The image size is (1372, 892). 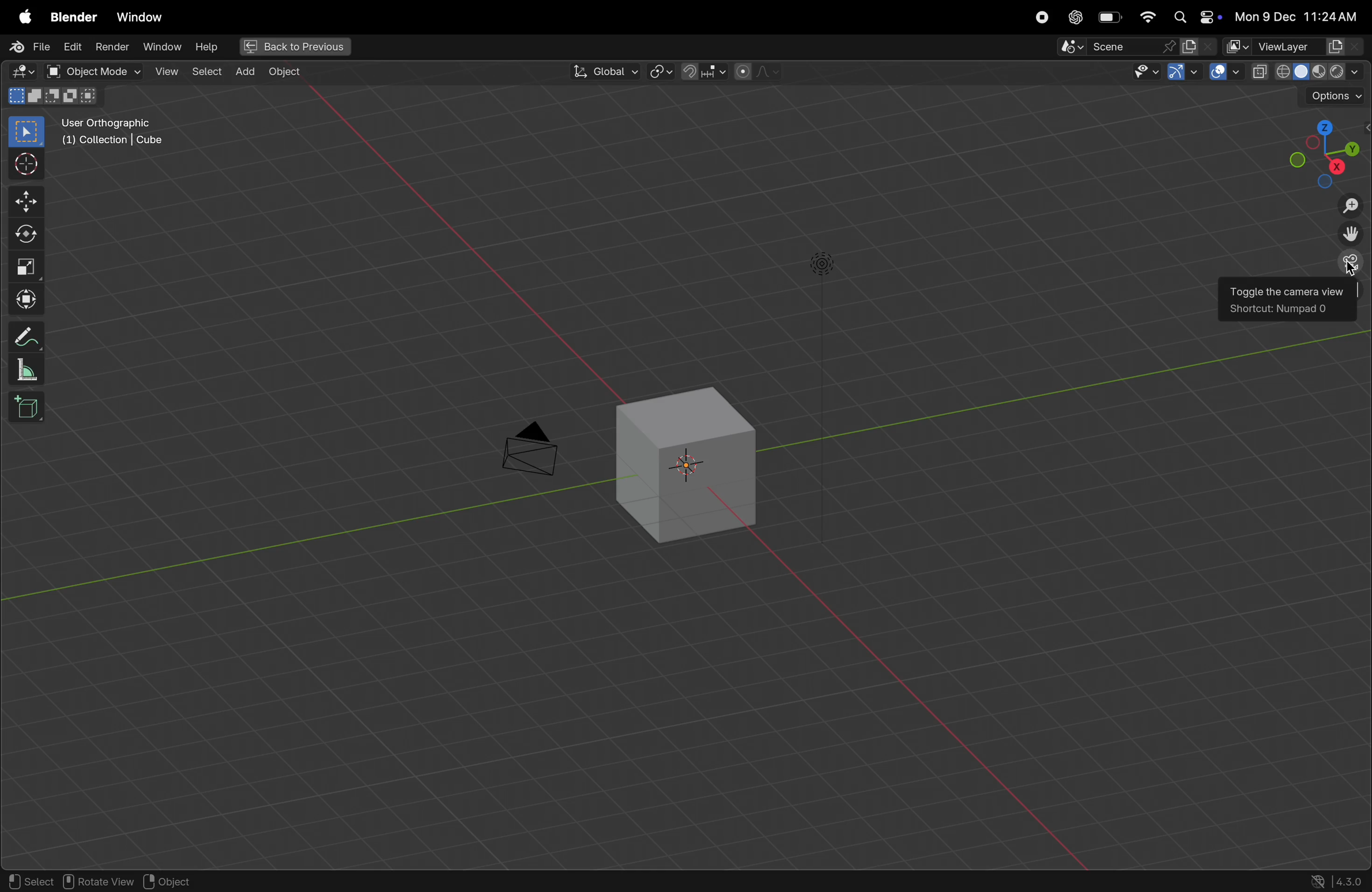 I want to click on wifi, so click(x=1148, y=16).